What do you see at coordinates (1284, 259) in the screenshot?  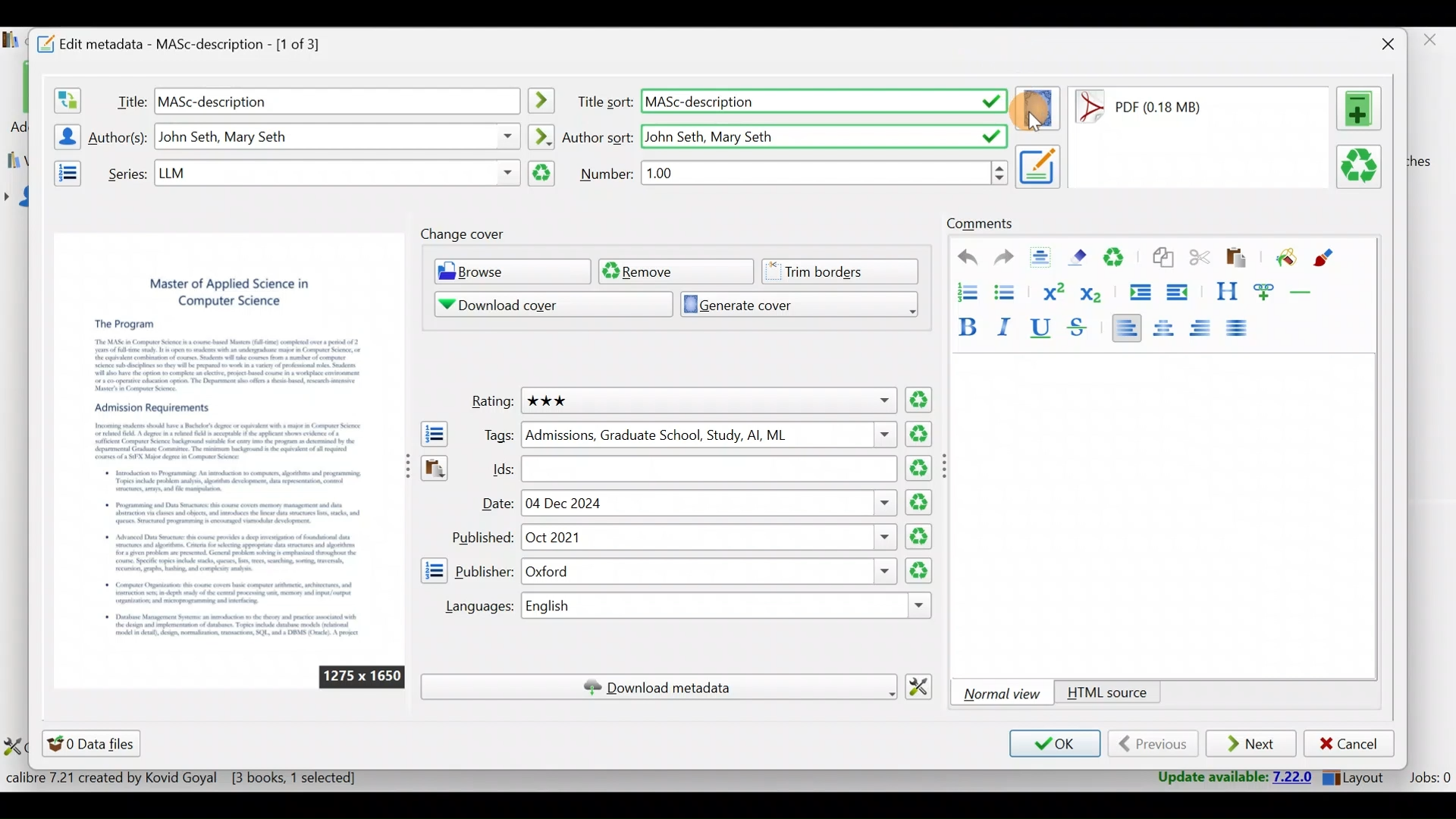 I see `Background colour` at bounding box center [1284, 259].